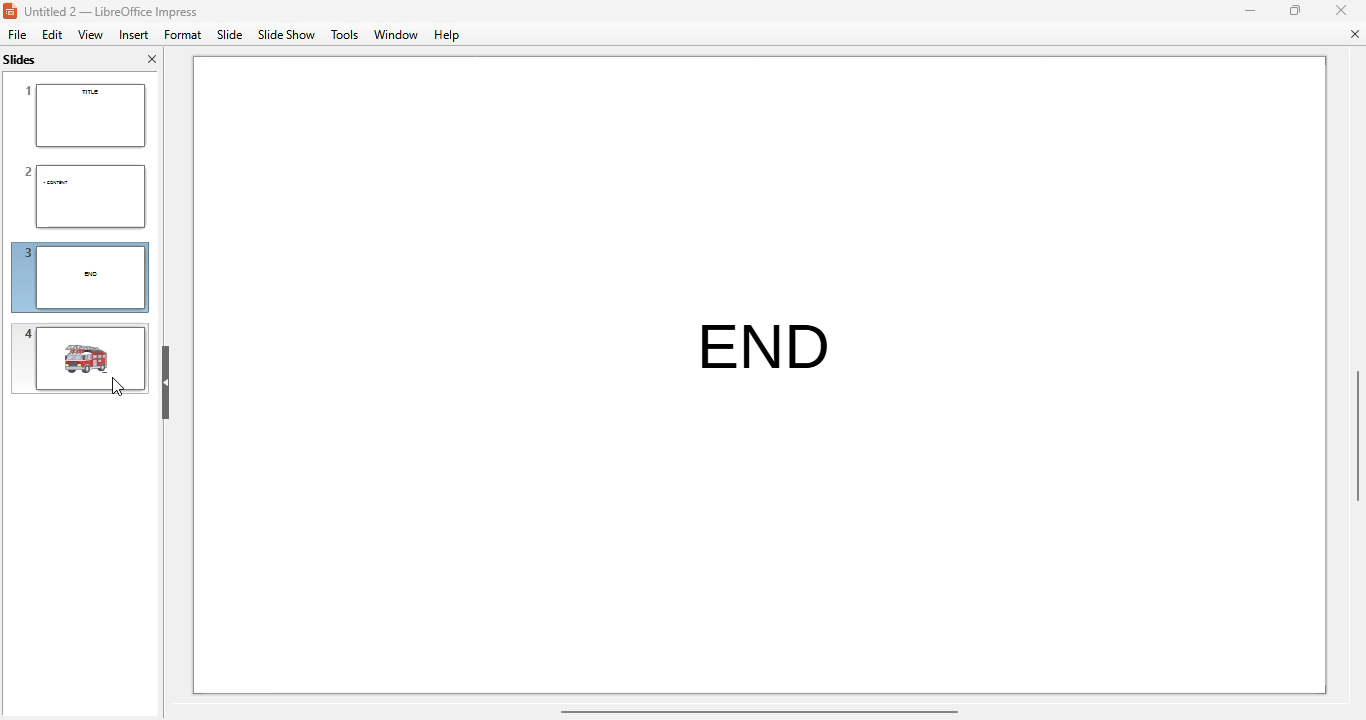 The image size is (1366, 720). What do you see at coordinates (110, 12) in the screenshot?
I see `title` at bounding box center [110, 12].